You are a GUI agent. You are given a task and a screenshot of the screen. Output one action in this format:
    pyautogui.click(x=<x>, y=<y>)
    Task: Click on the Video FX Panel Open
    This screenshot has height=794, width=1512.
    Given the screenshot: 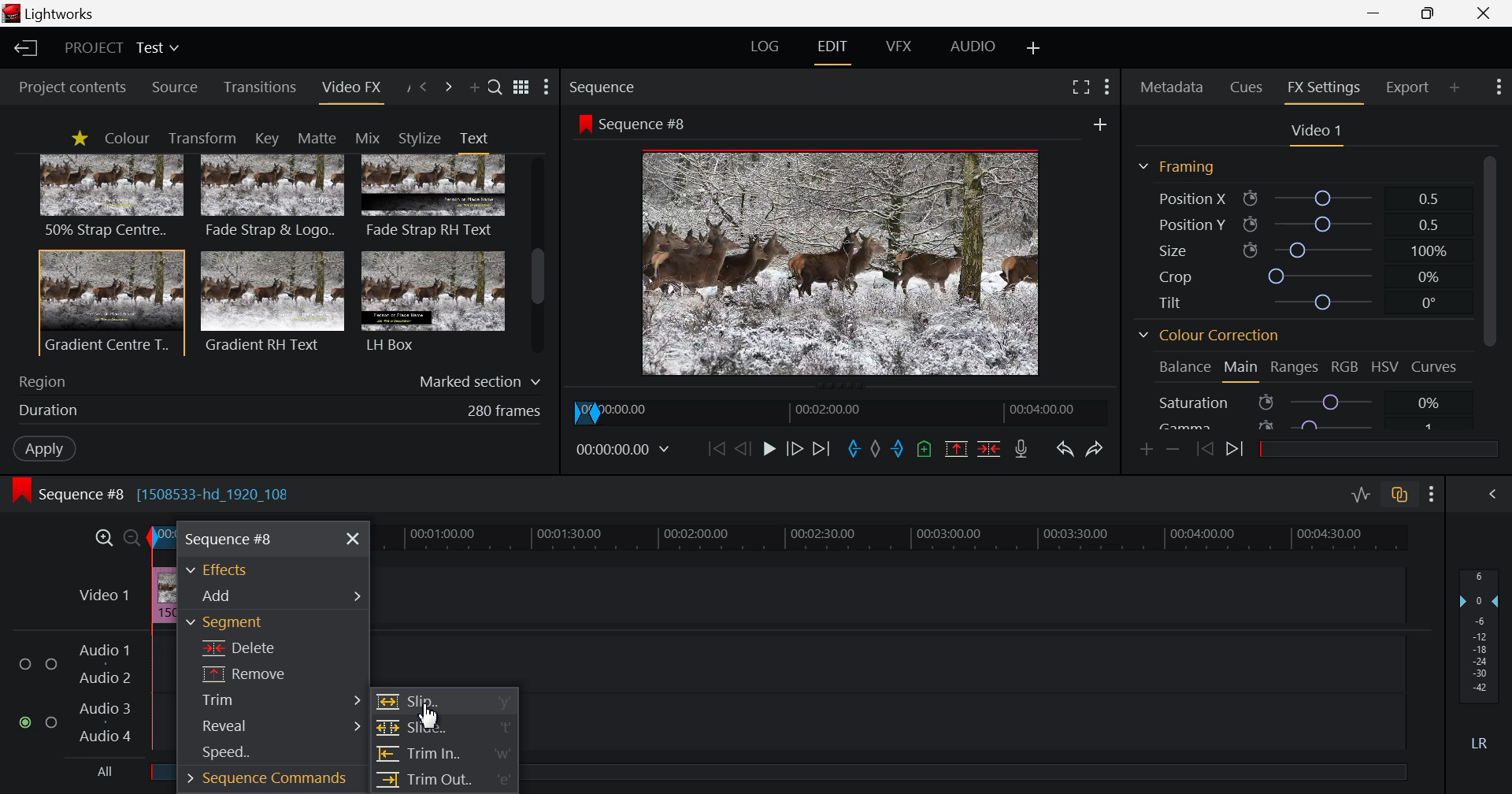 What is the action you would take?
    pyautogui.click(x=354, y=91)
    